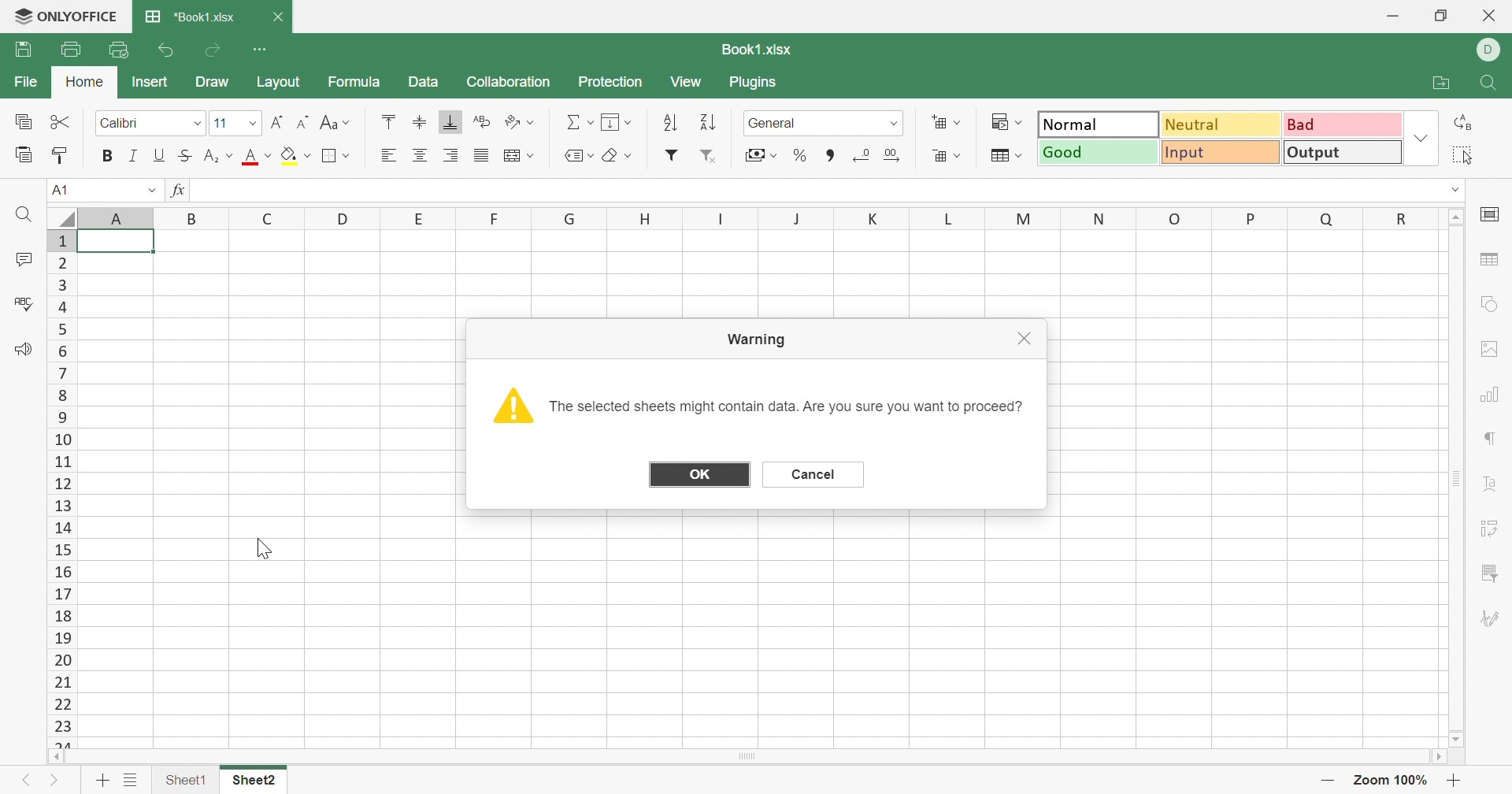 This screenshot has width=1512, height=794. What do you see at coordinates (1494, 440) in the screenshot?
I see `paragraph settings` at bounding box center [1494, 440].